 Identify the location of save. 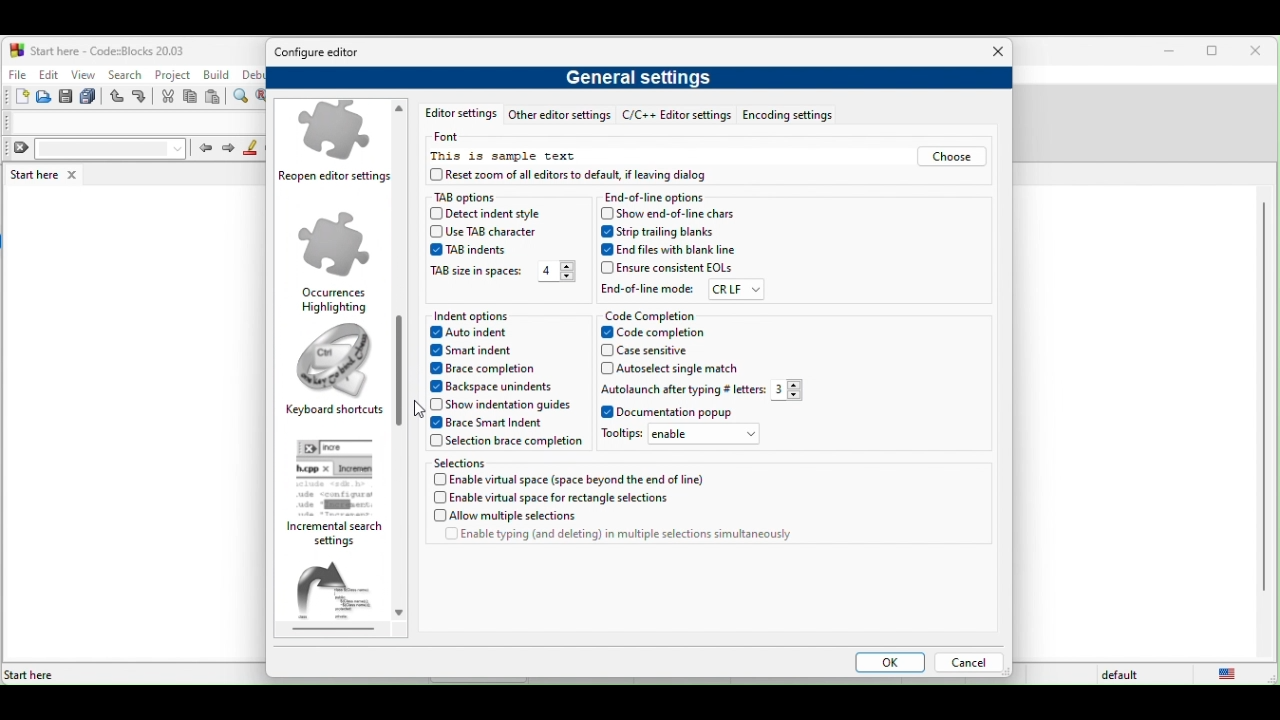
(66, 97).